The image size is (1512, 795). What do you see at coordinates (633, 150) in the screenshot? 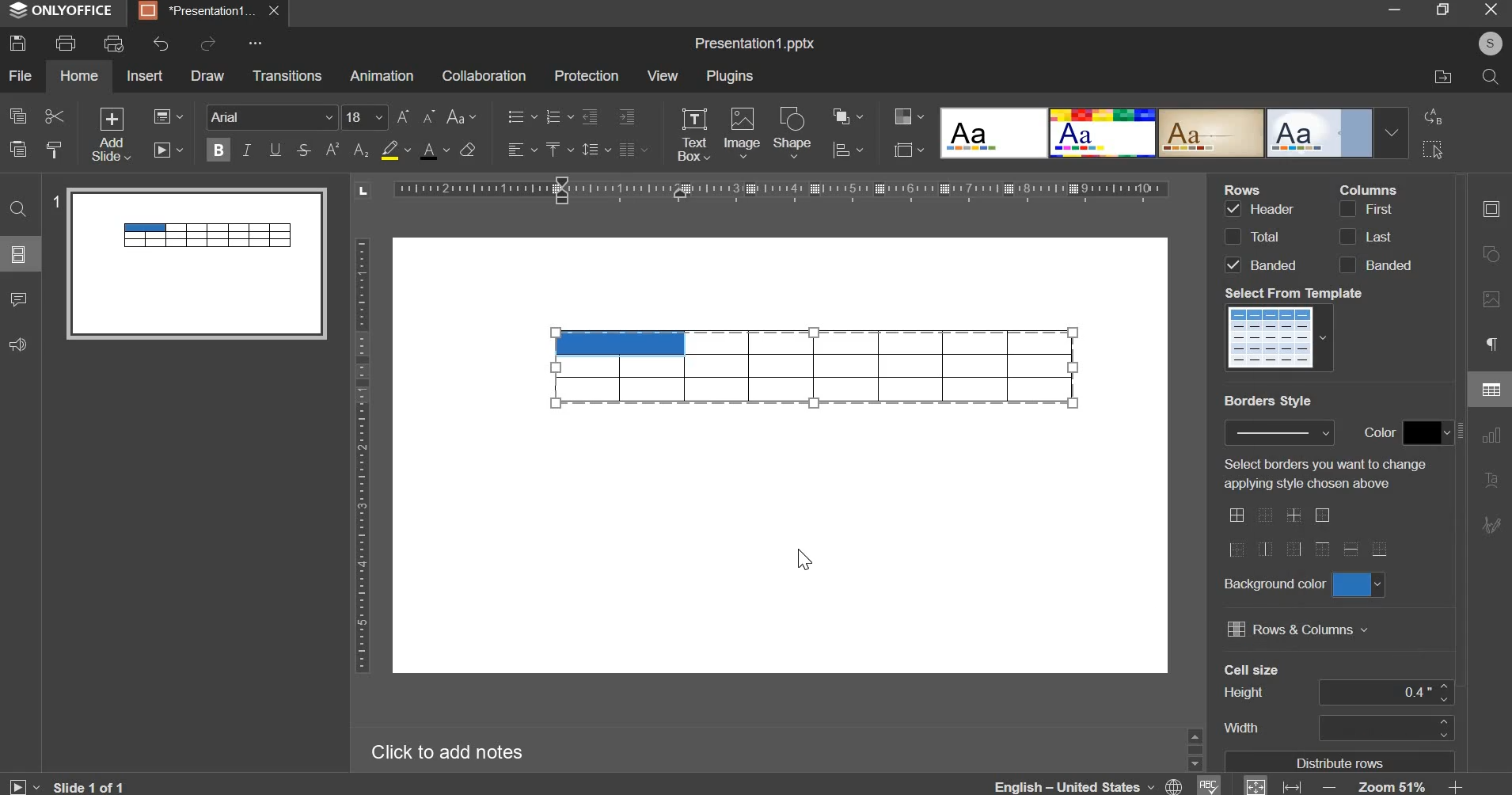
I see `justified` at bounding box center [633, 150].